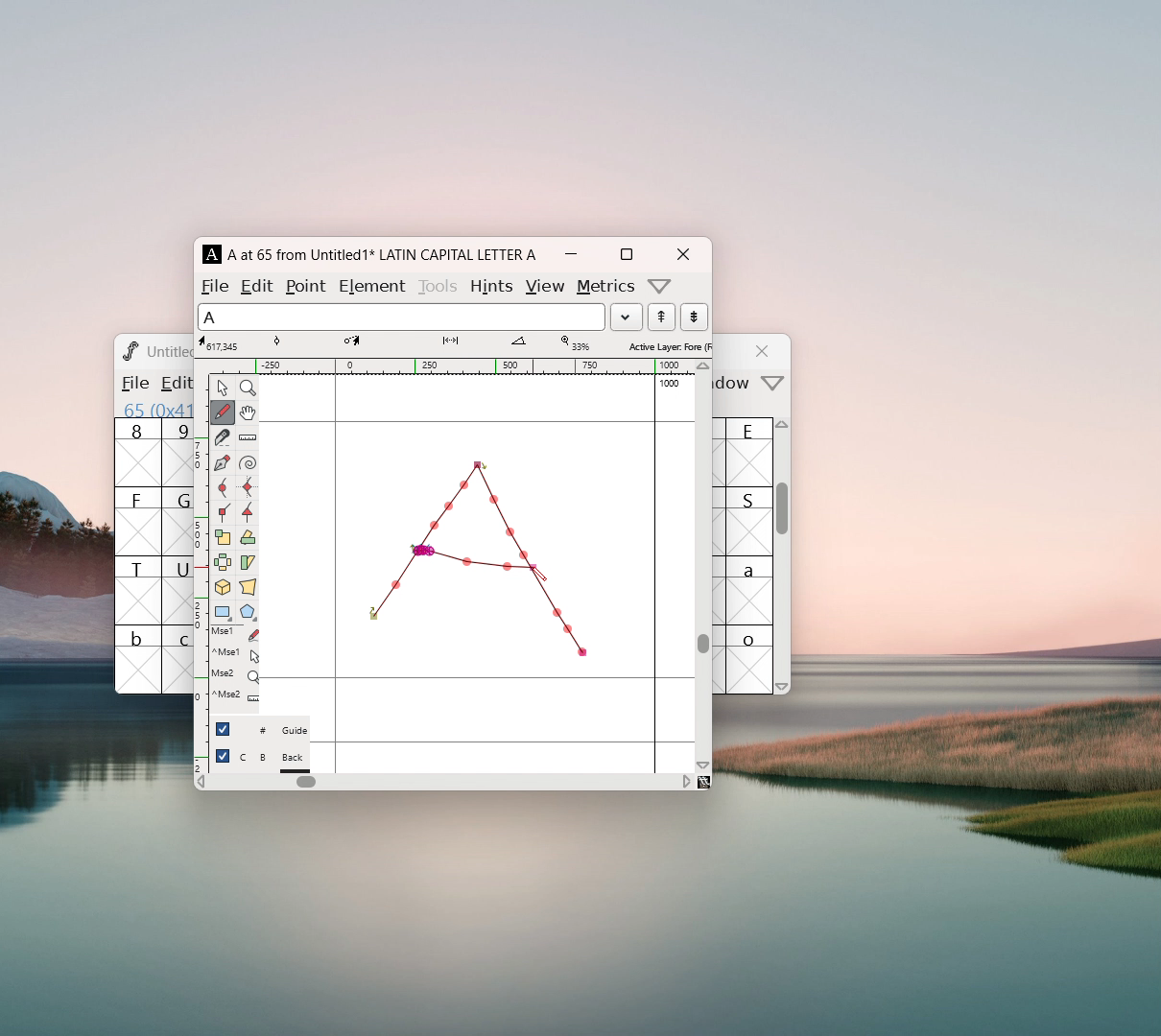 This screenshot has width=1161, height=1036. Describe the element at coordinates (308, 286) in the screenshot. I see `point` at that location.